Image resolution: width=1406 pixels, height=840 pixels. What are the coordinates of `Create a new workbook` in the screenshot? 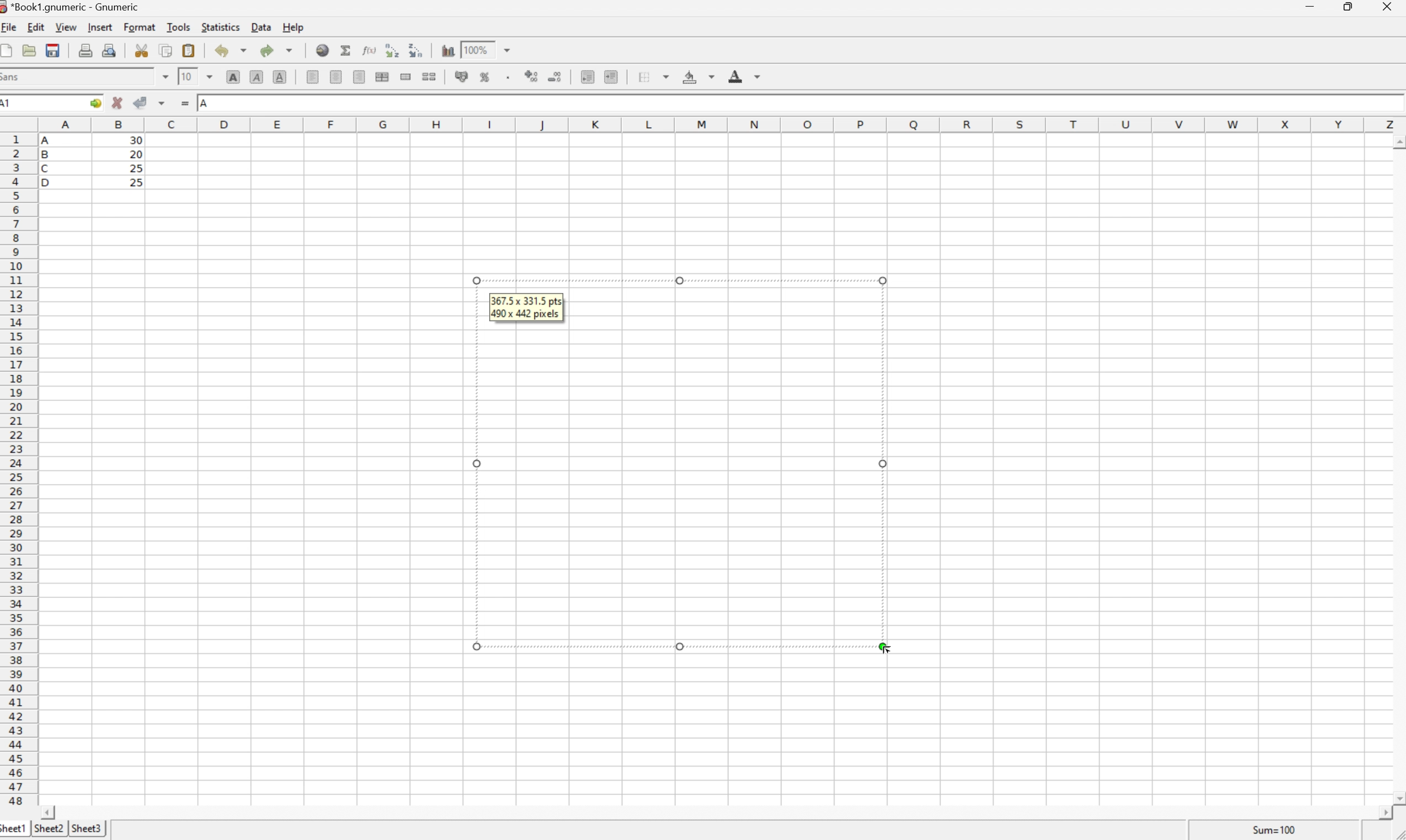 It's located at (9, 50).